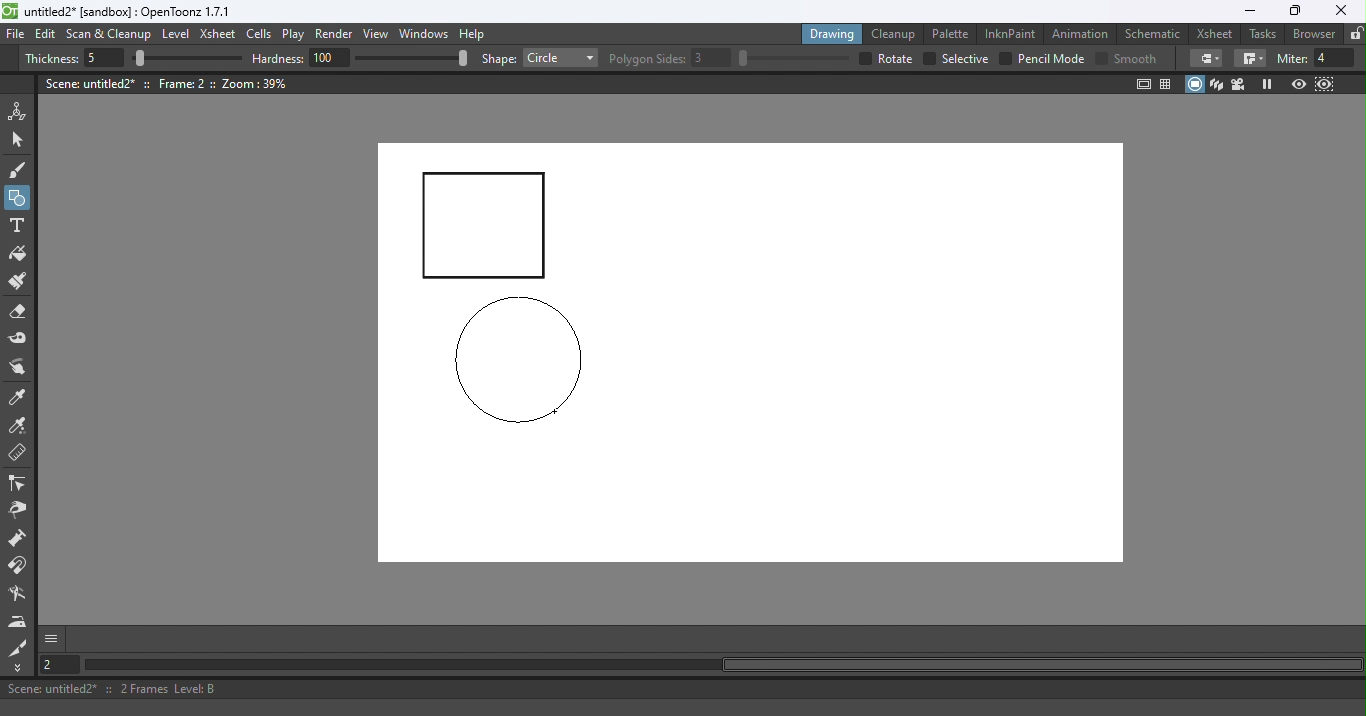 The width and height of the screenshot is (1366, 716). What do you see at coordinates (1218, 84) in the screenshot?
I see `3D View` at bounding box center [1218, 84].